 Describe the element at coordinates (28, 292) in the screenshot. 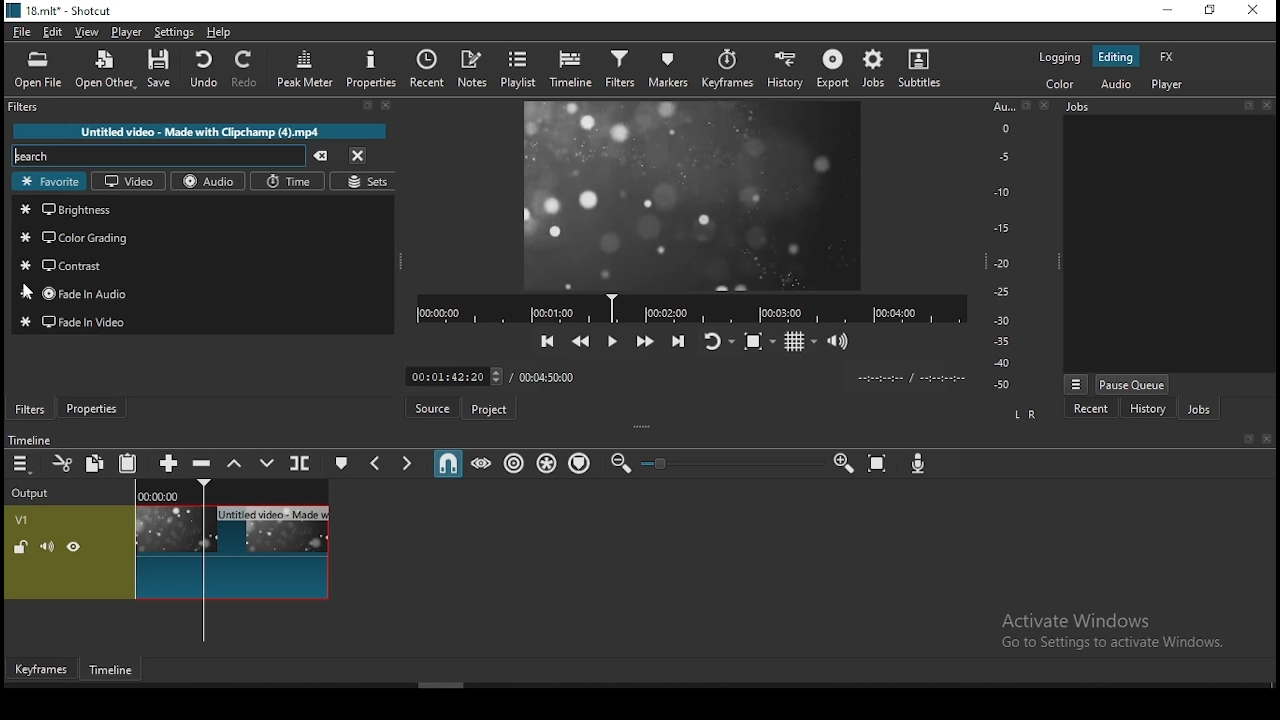

I see `Cursor` at that location.